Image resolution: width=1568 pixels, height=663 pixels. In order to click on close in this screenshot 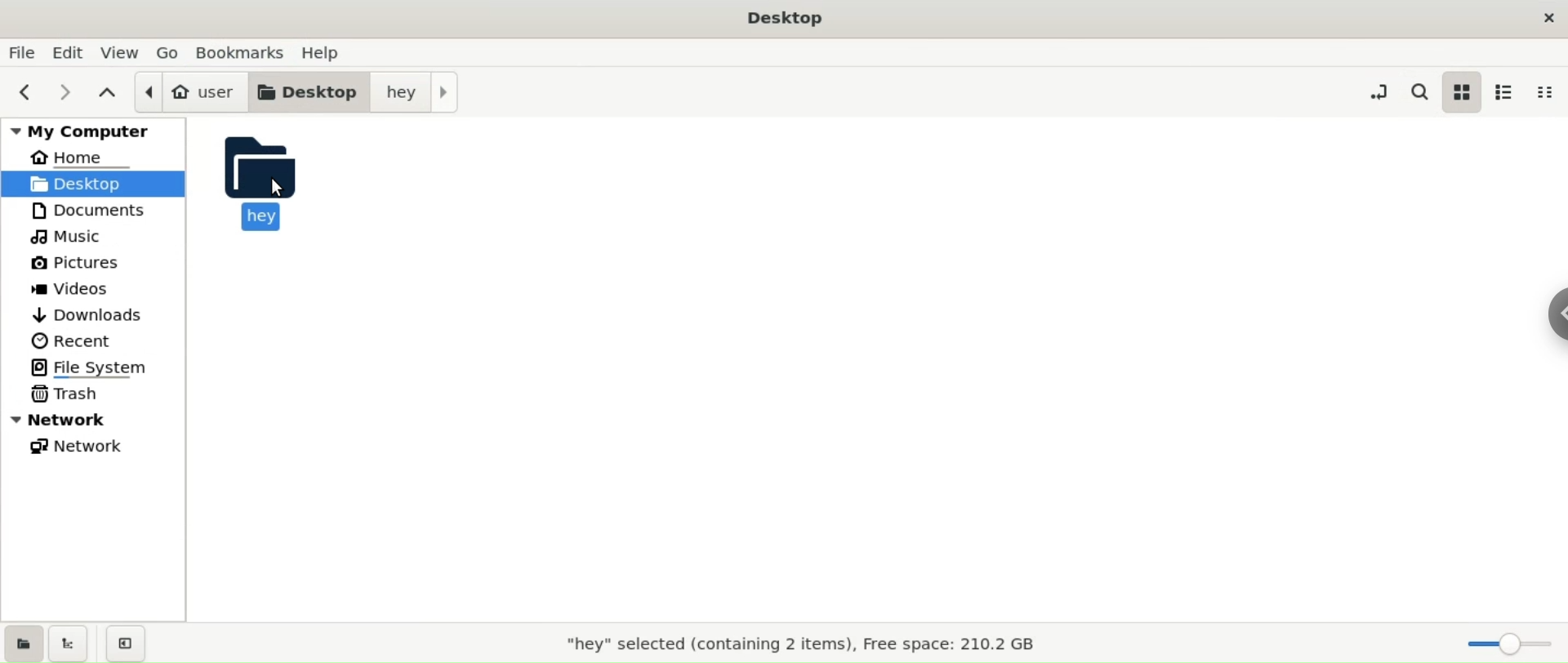, I will do `click(1545, 16)`.